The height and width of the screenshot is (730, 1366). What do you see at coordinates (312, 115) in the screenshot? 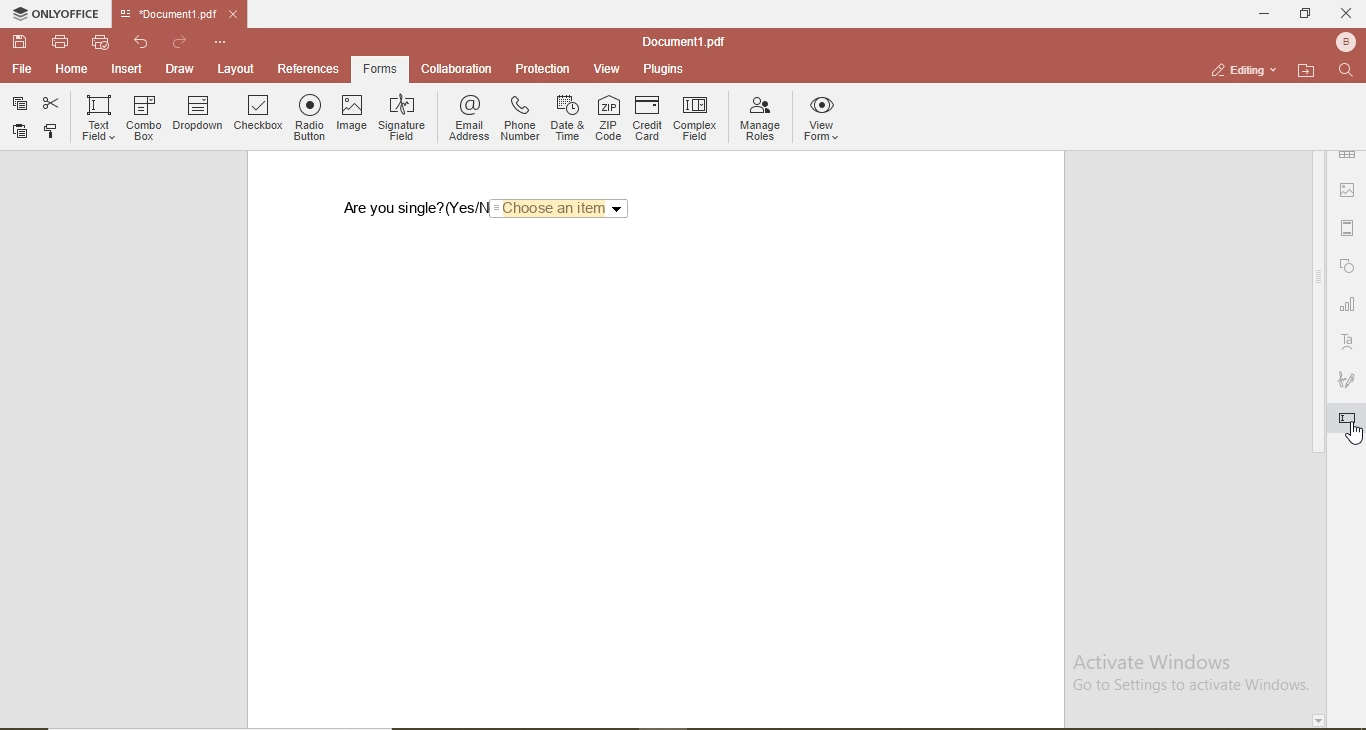
I see `radio button` at bounding box center [312, 115].